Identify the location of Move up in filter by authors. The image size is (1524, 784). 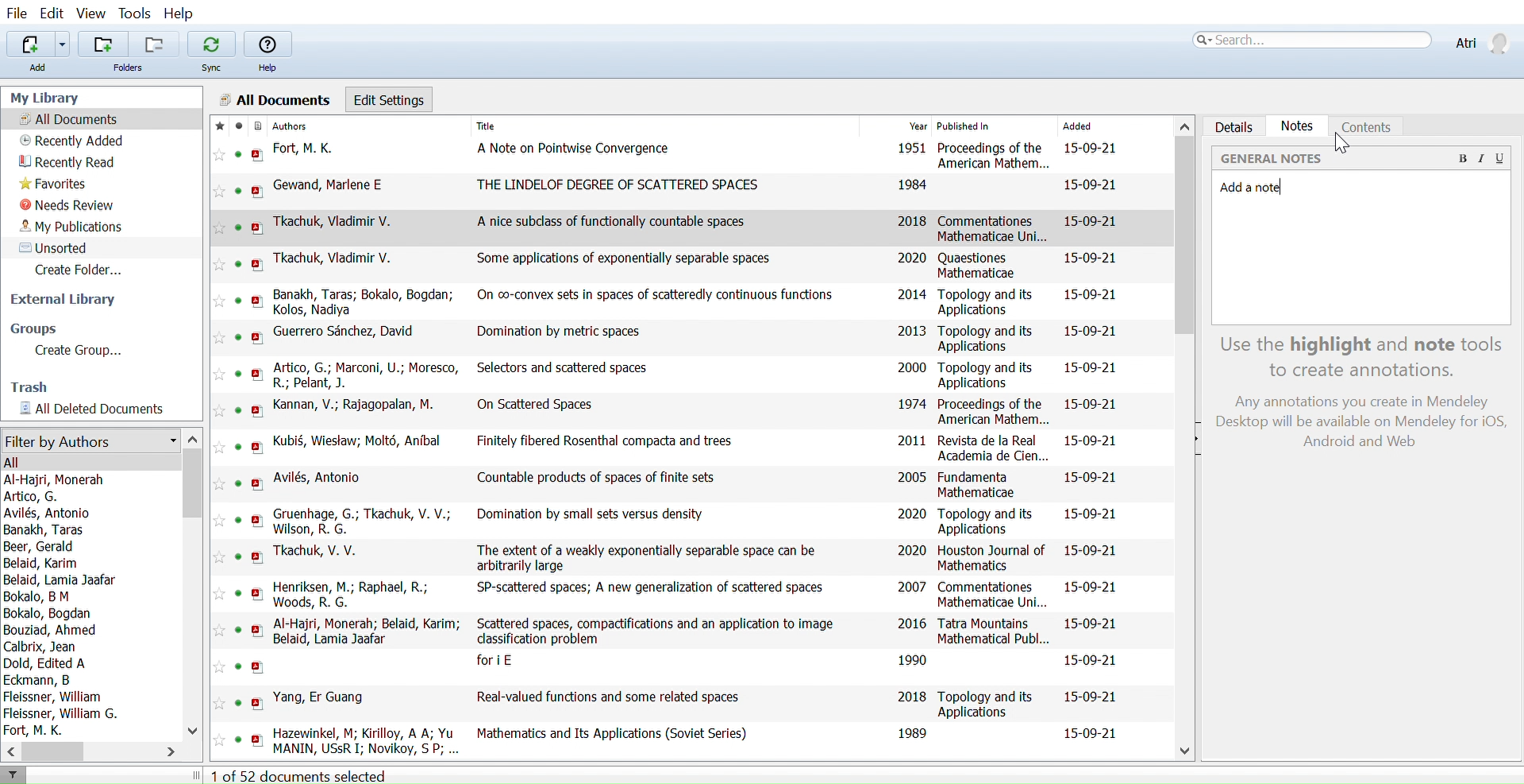
(192, 437).